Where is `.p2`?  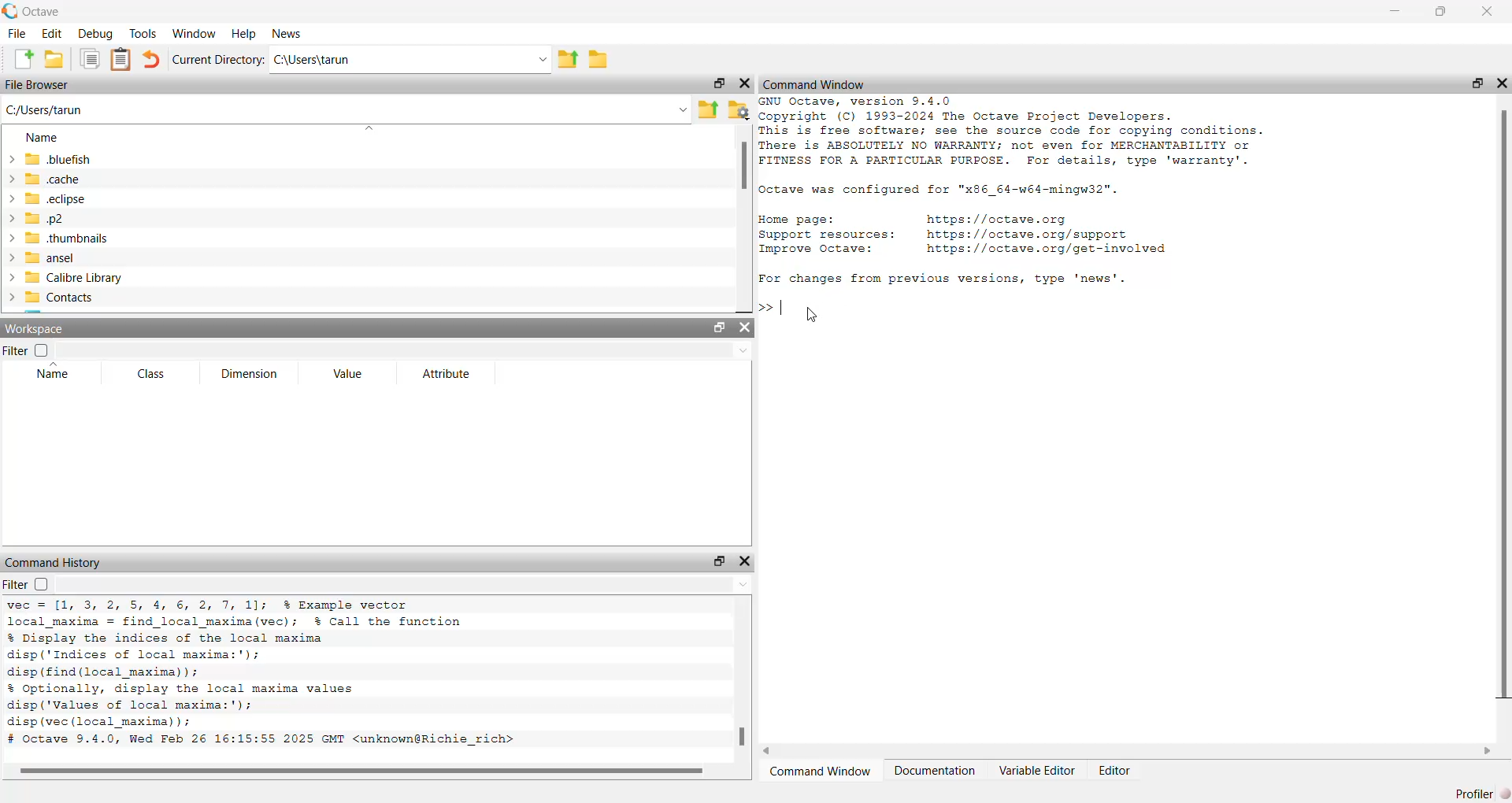 .p2 is located at coordinates (45, 218).